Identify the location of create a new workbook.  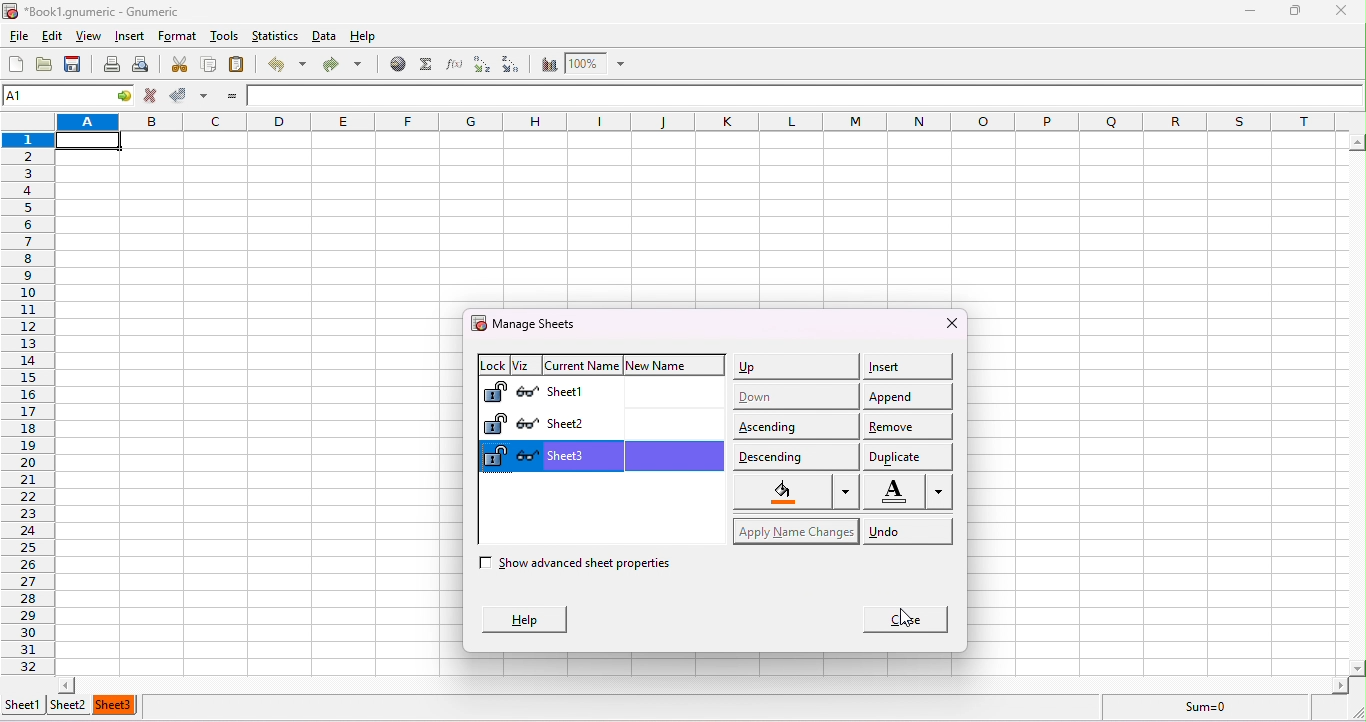
(15, 64).